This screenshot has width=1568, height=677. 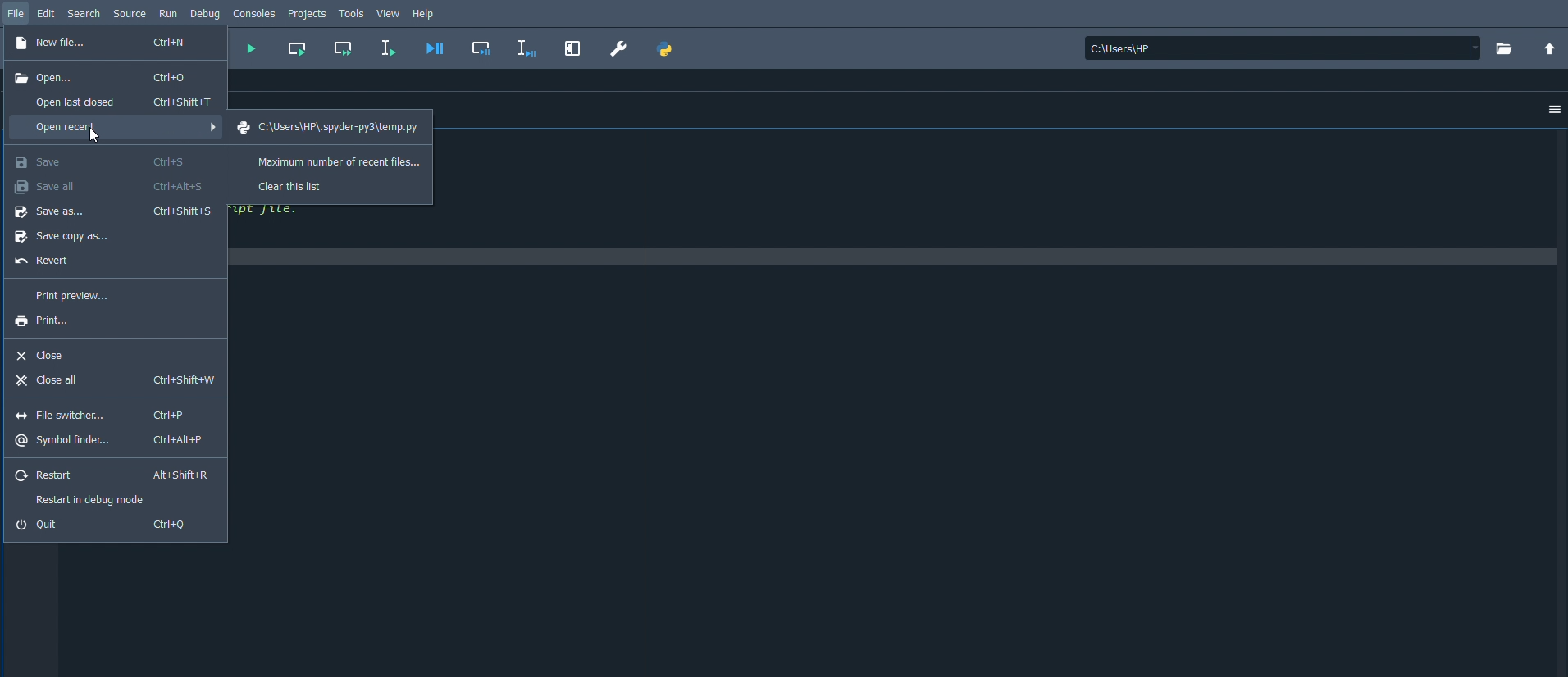 I want to click on Close all, so click(x=114, y=382).